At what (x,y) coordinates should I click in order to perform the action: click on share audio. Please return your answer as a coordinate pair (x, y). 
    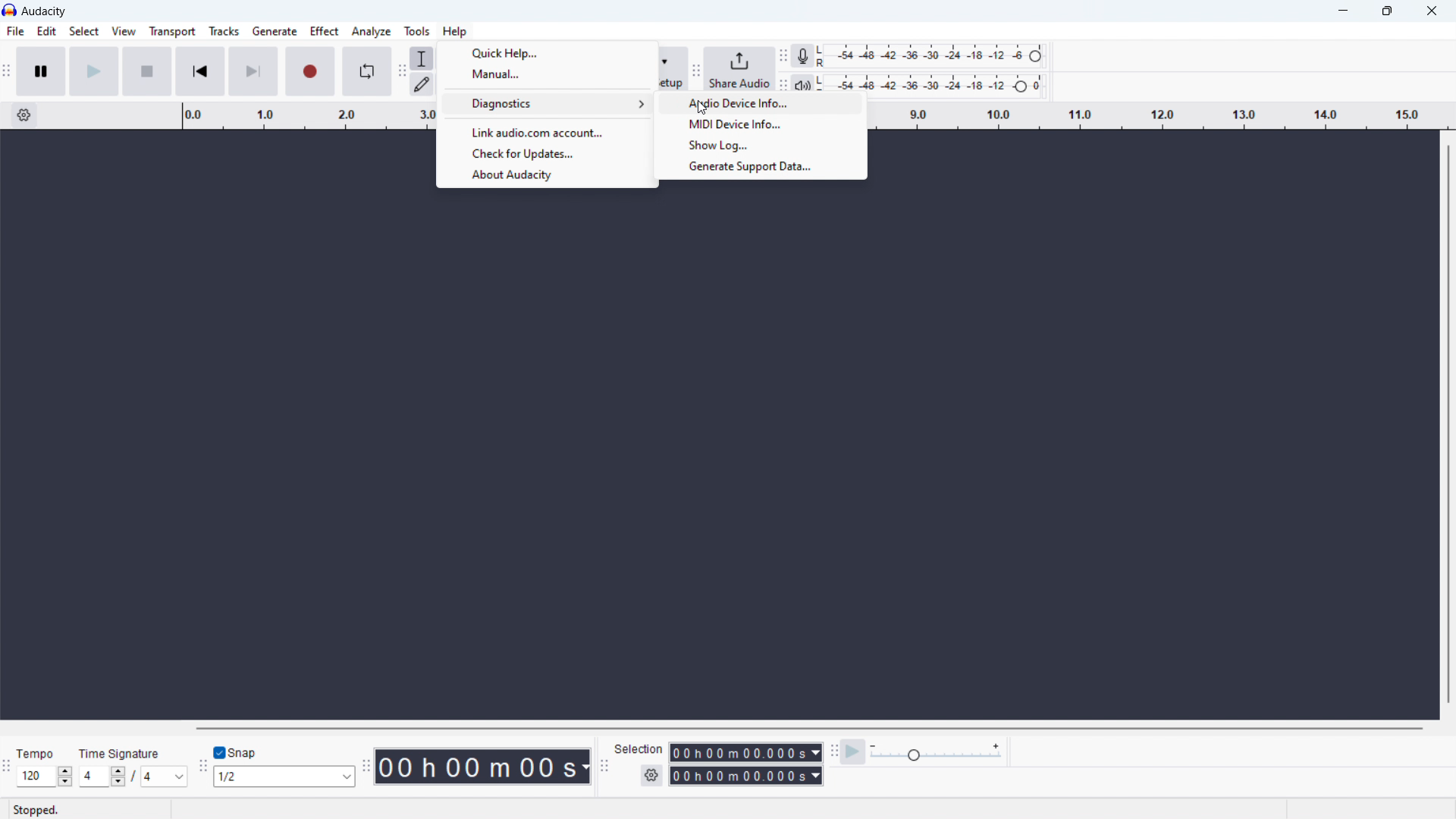
    Looking at the image, I should click on (742, 68).